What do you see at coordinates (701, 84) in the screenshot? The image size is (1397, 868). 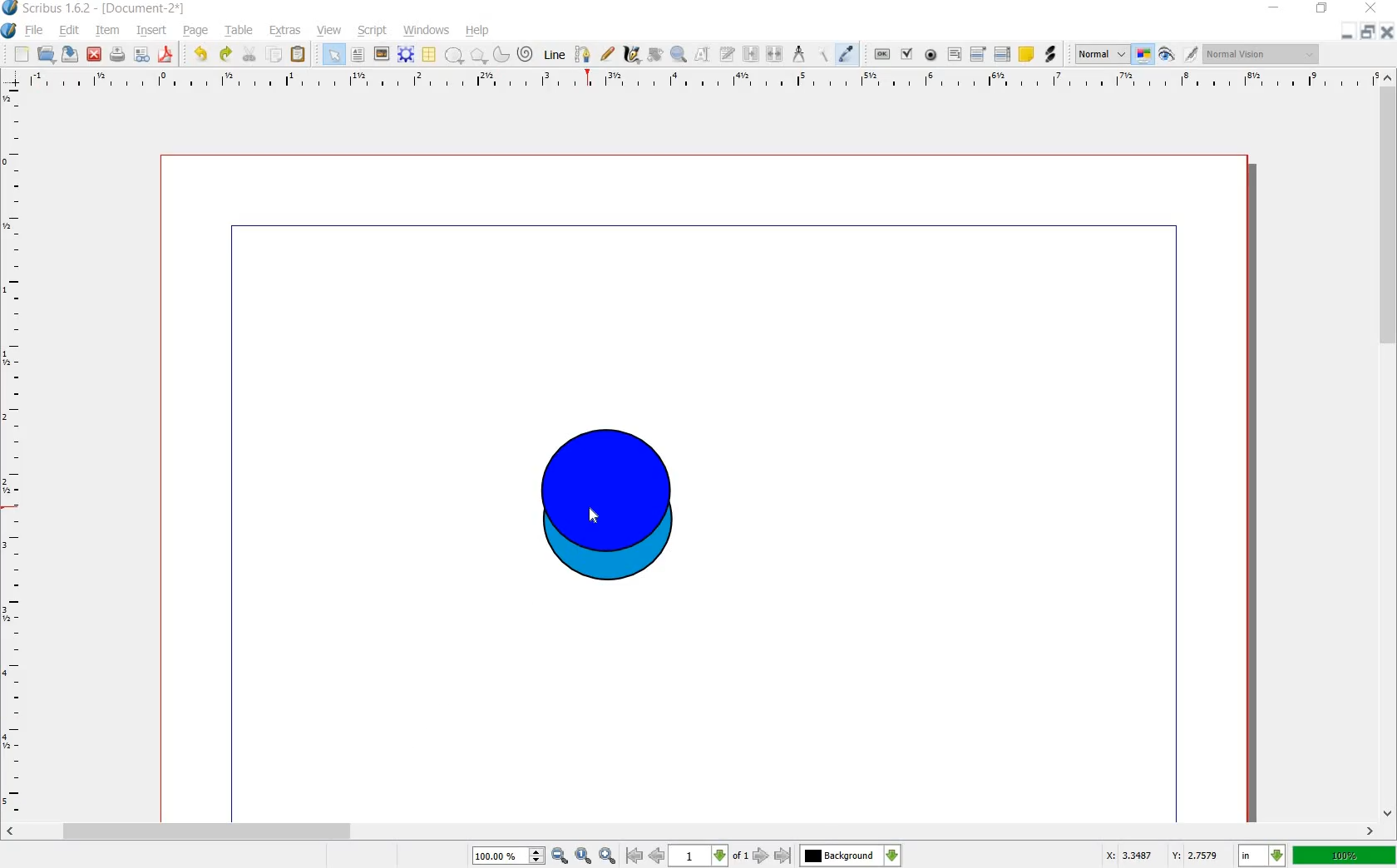 I see `ruler` at bounding box center [701, 84].